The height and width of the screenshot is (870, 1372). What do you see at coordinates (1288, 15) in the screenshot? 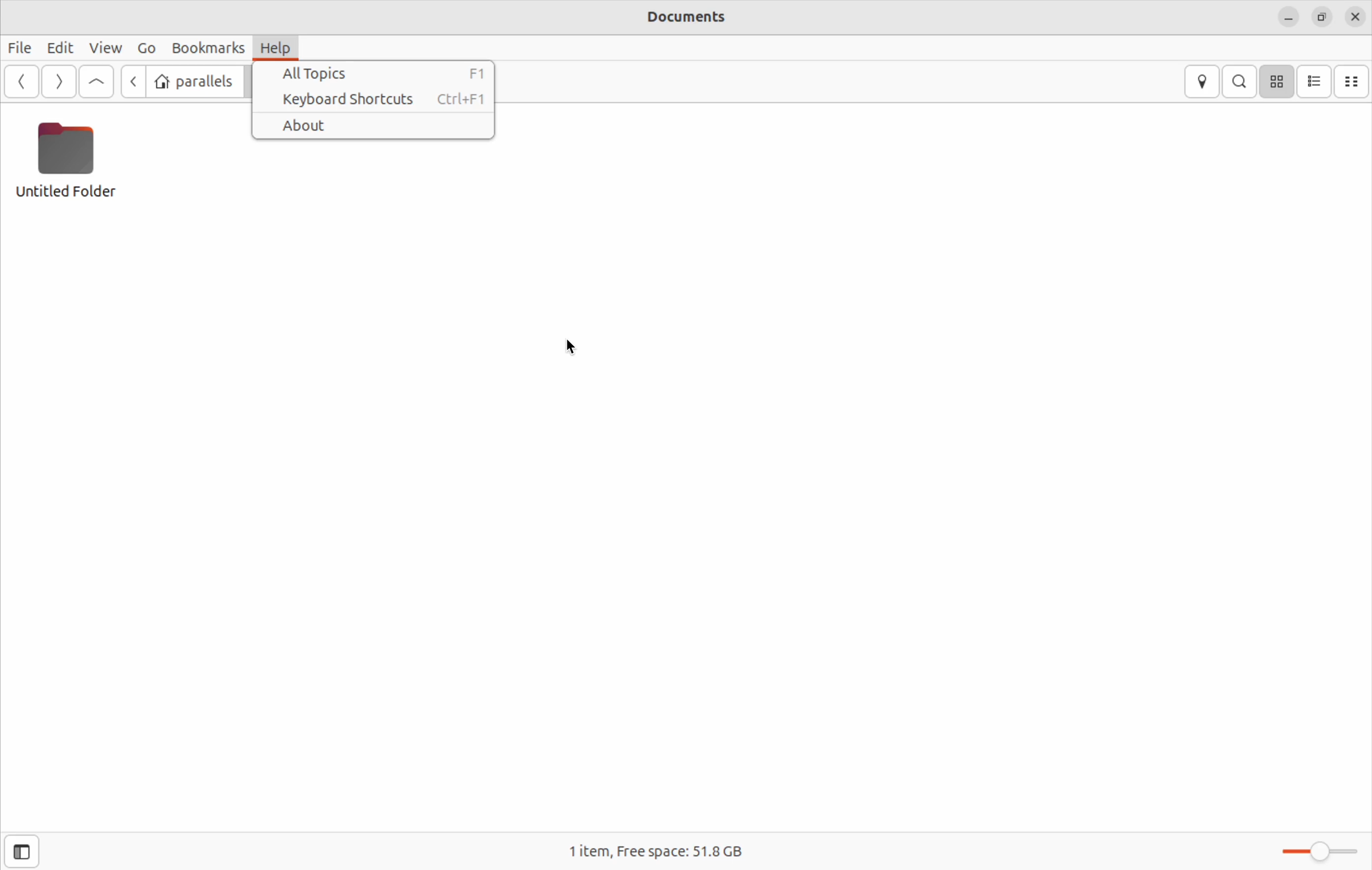
I see `minimize` at bounding box center [1288, 15].